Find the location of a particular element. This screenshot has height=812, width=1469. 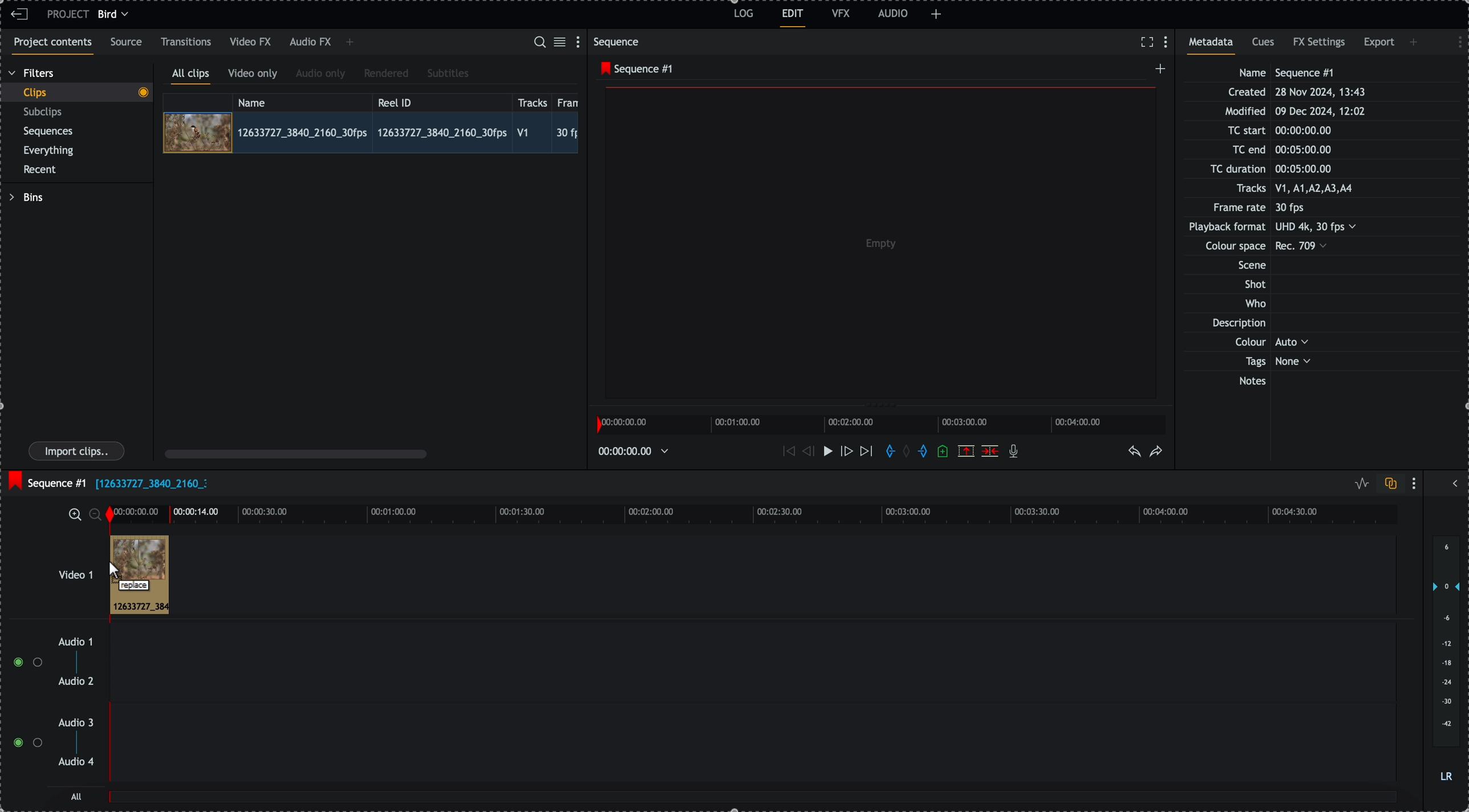

project contents is located at coordinates (50, 46).